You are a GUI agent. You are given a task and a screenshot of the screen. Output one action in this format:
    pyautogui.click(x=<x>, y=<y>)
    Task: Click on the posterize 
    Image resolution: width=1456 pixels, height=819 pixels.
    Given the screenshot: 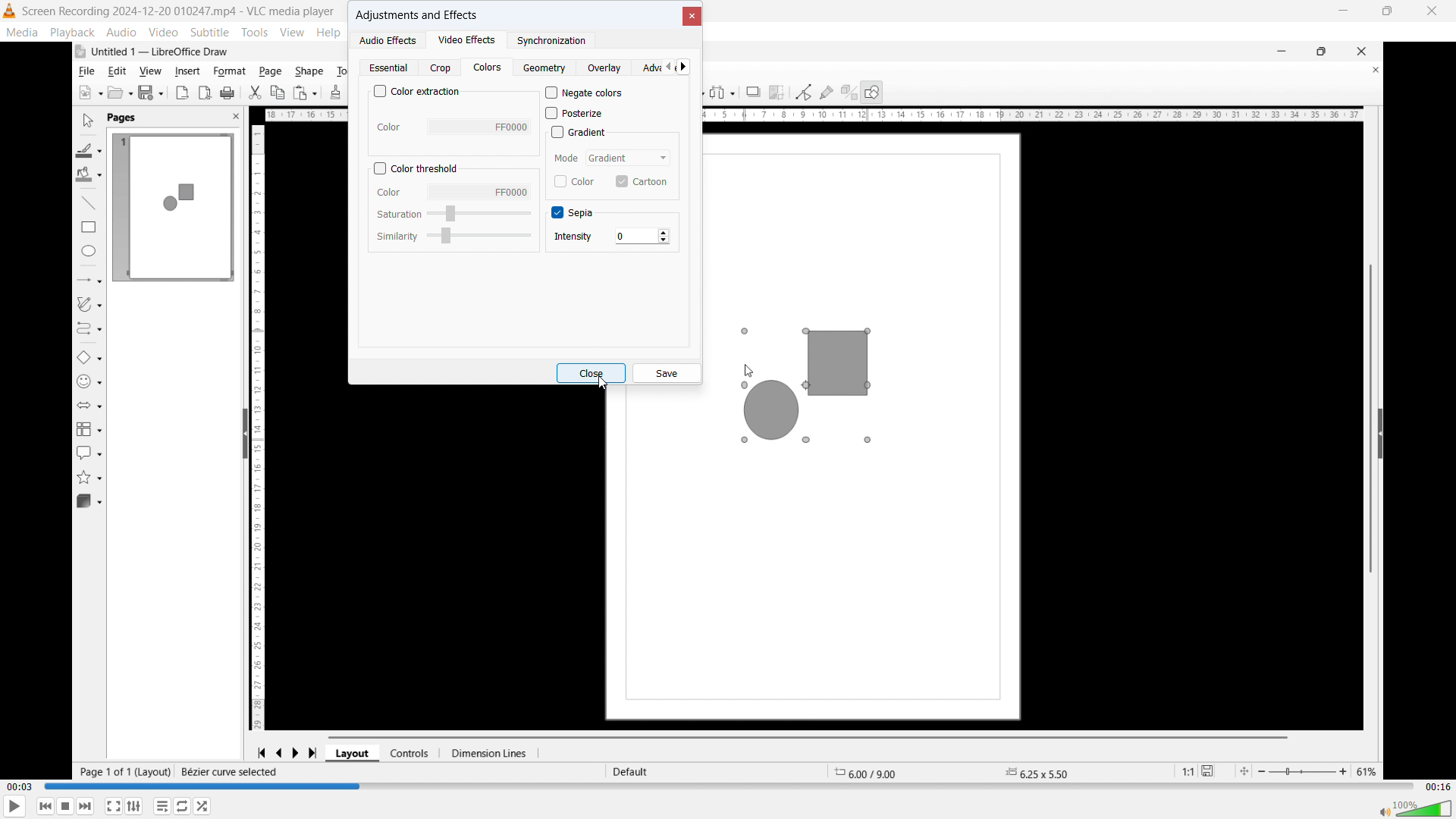 What is the action you would take?
    pyautogui.click(x=576, y=113)
    